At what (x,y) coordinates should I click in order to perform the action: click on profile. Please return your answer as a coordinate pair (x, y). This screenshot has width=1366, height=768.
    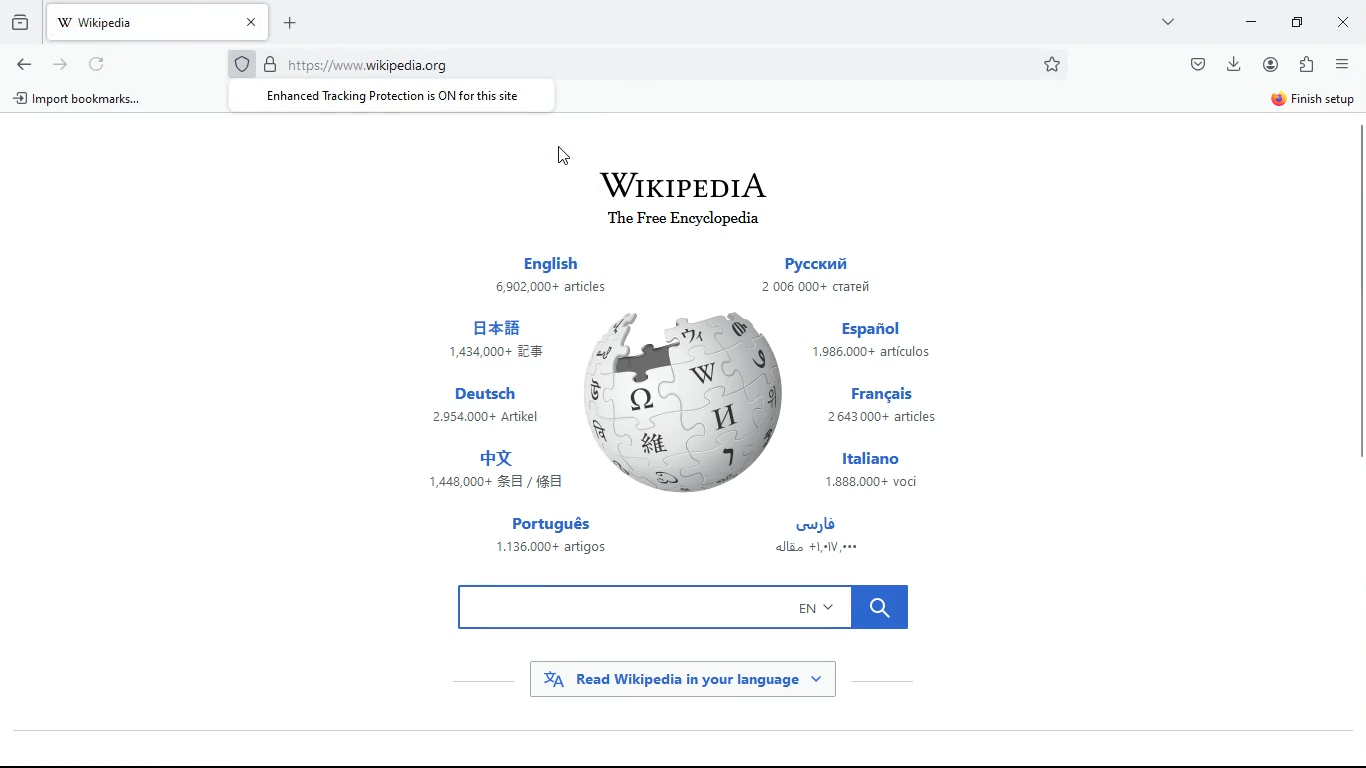
    Looking at the image, I should click on (1270, 65).